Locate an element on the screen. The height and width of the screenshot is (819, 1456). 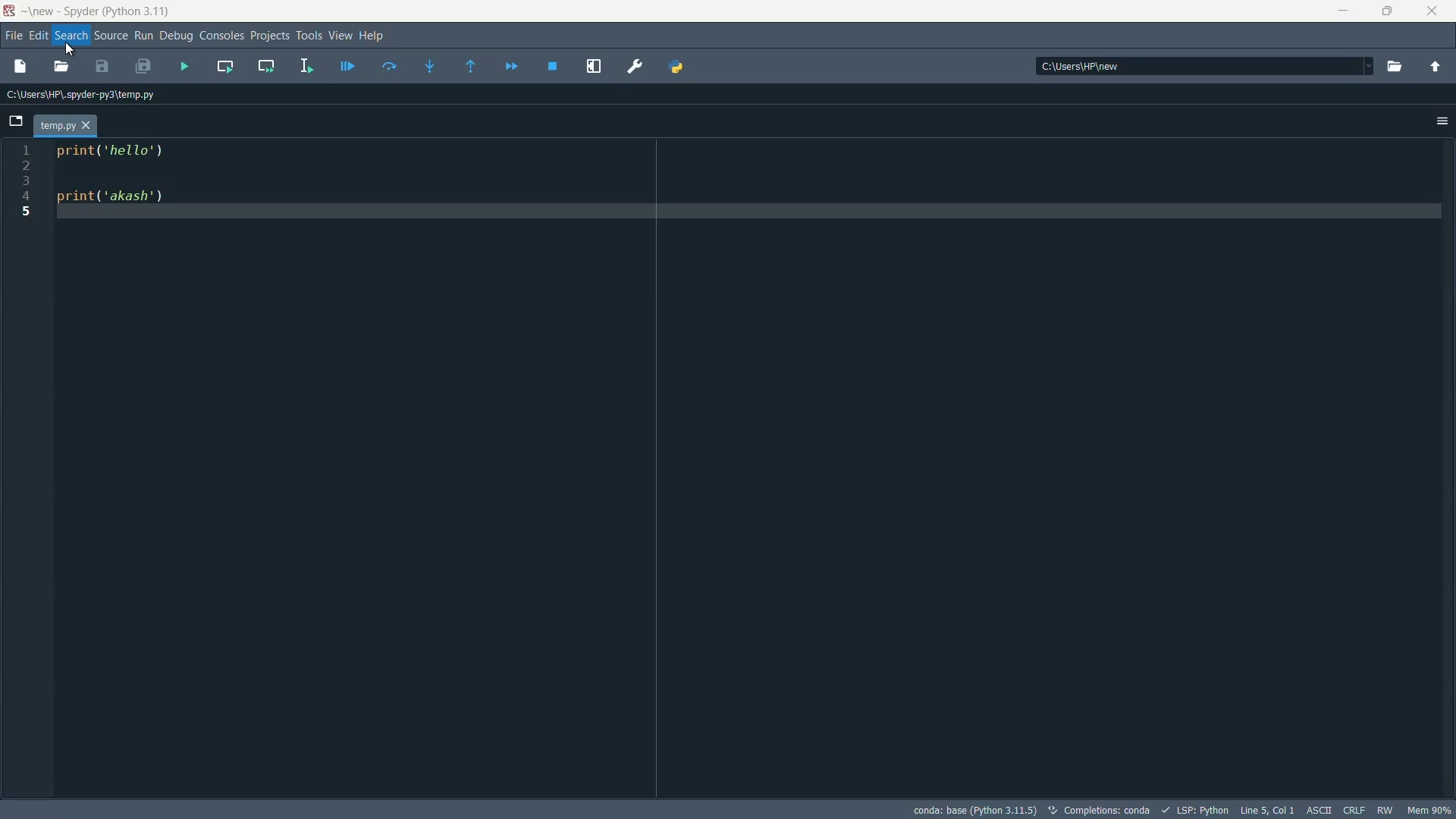
consoles menu is located at coordinates (219, 34).